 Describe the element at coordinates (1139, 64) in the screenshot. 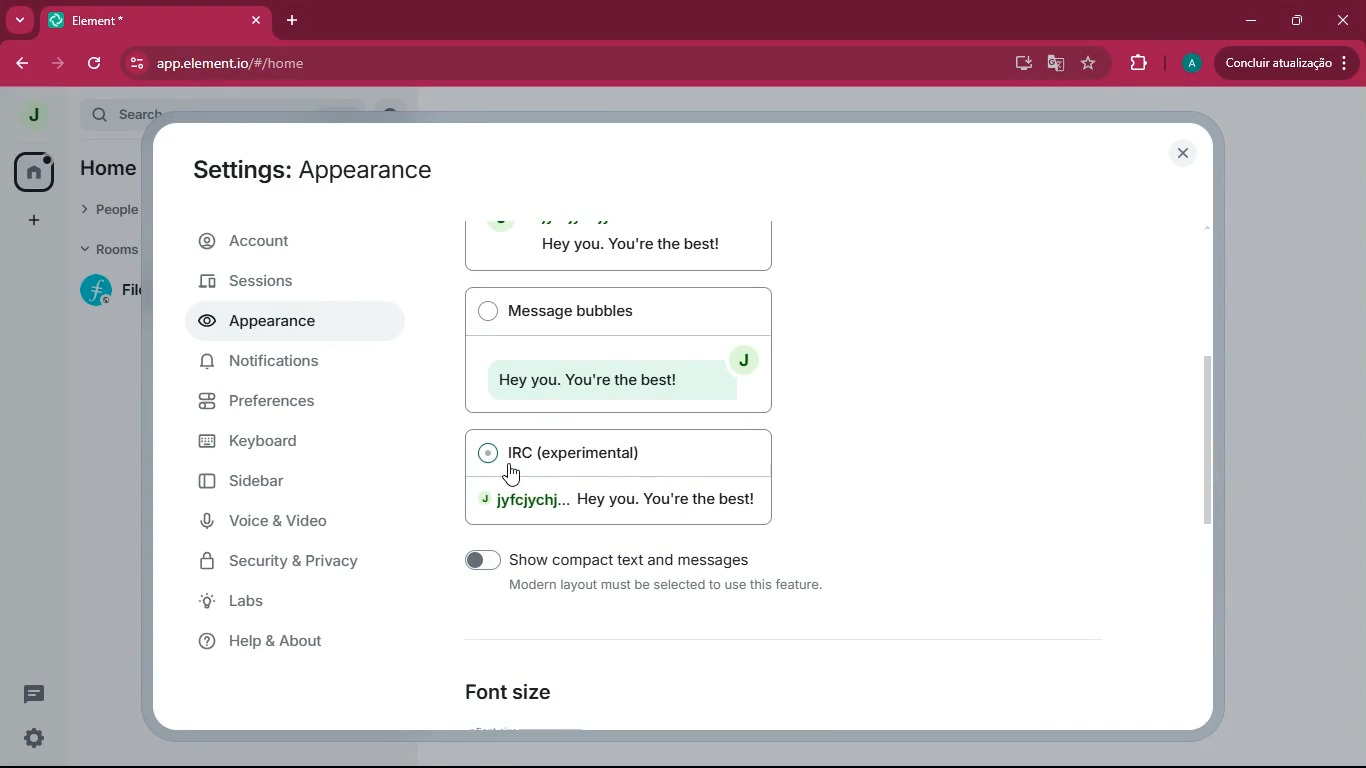

I see `extensions` at that location.